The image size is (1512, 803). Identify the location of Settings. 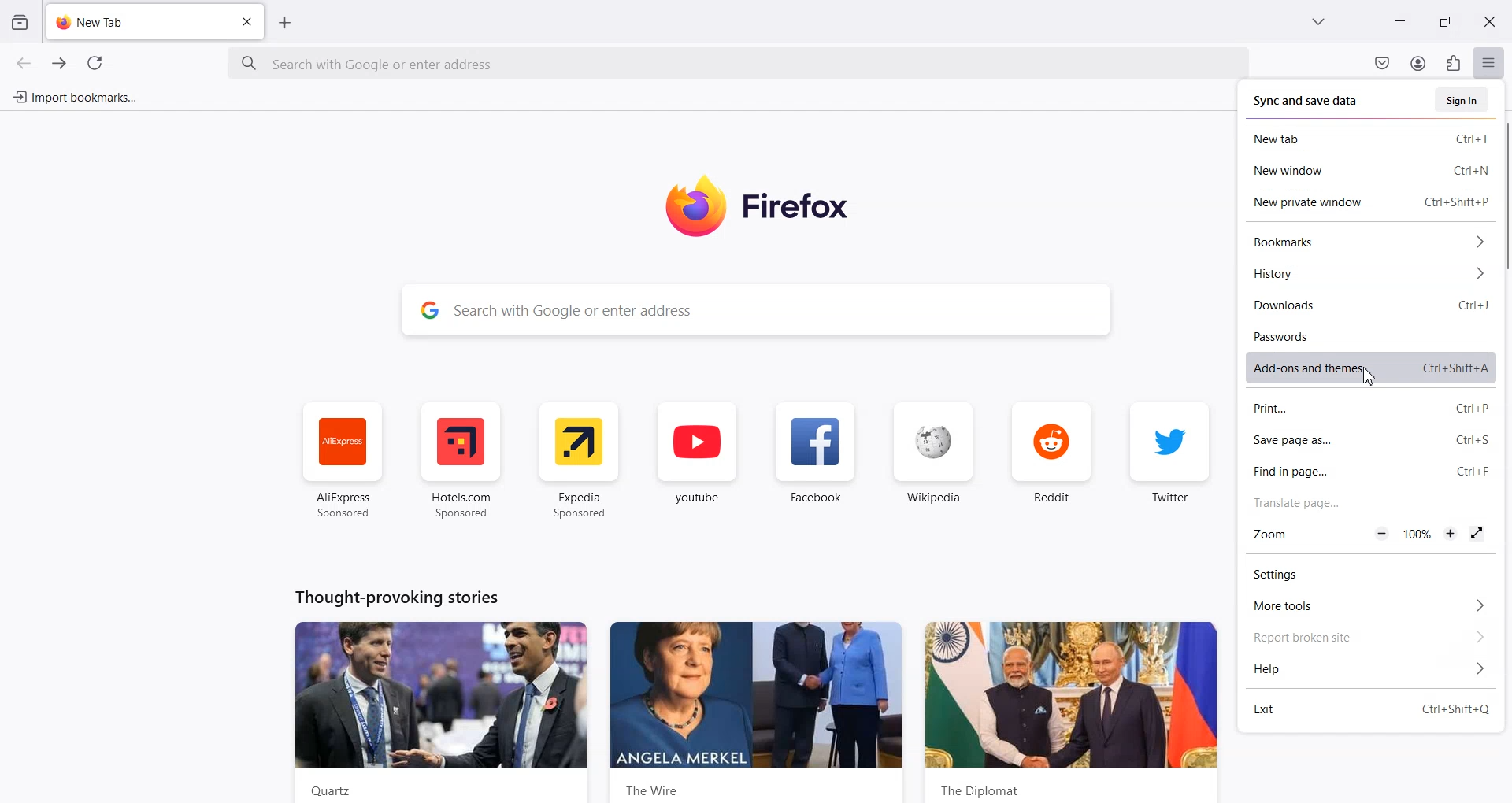
(1367, 573).